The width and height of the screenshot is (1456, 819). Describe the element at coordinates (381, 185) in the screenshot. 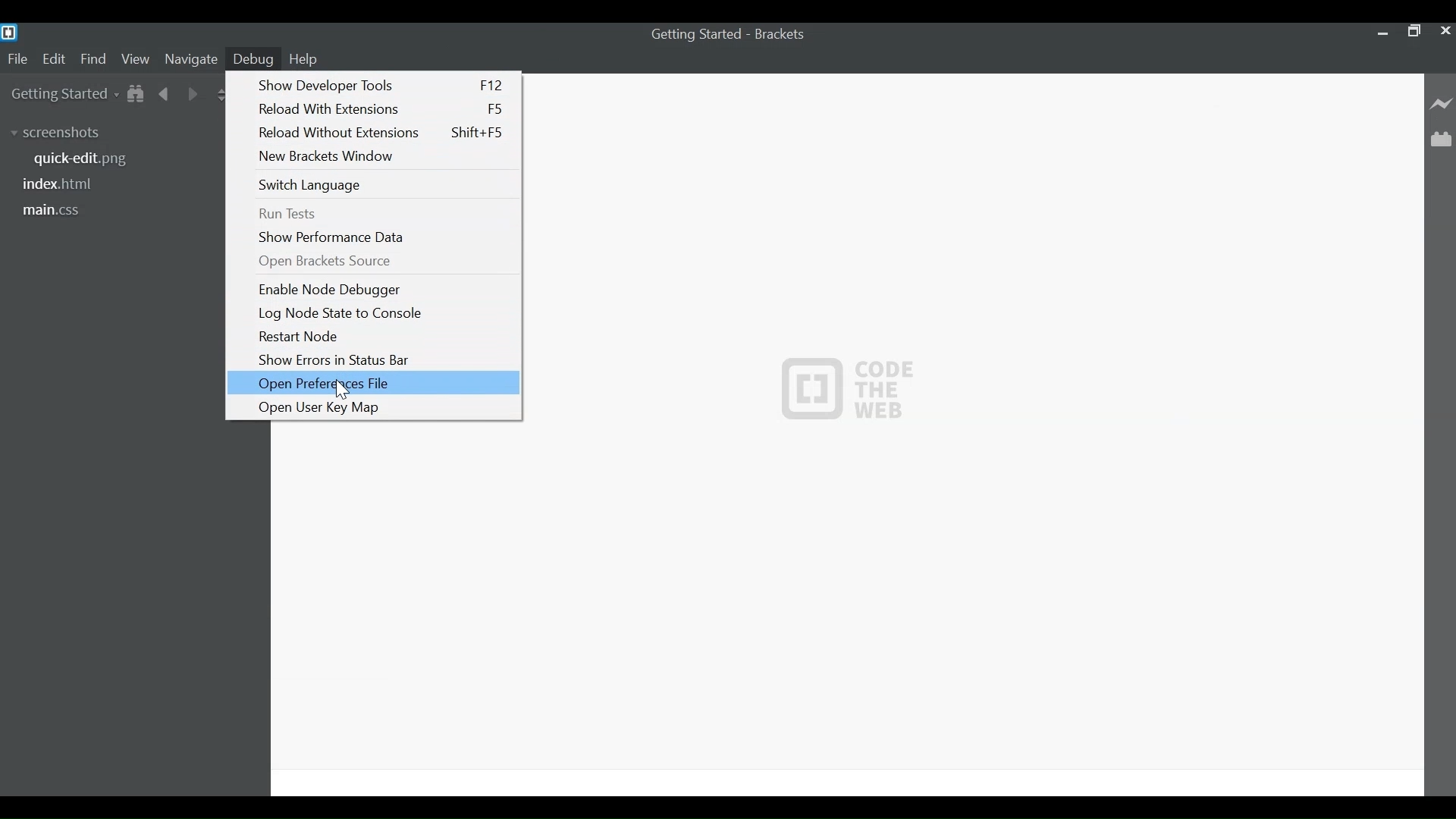

I see `Switch Language` at that location.